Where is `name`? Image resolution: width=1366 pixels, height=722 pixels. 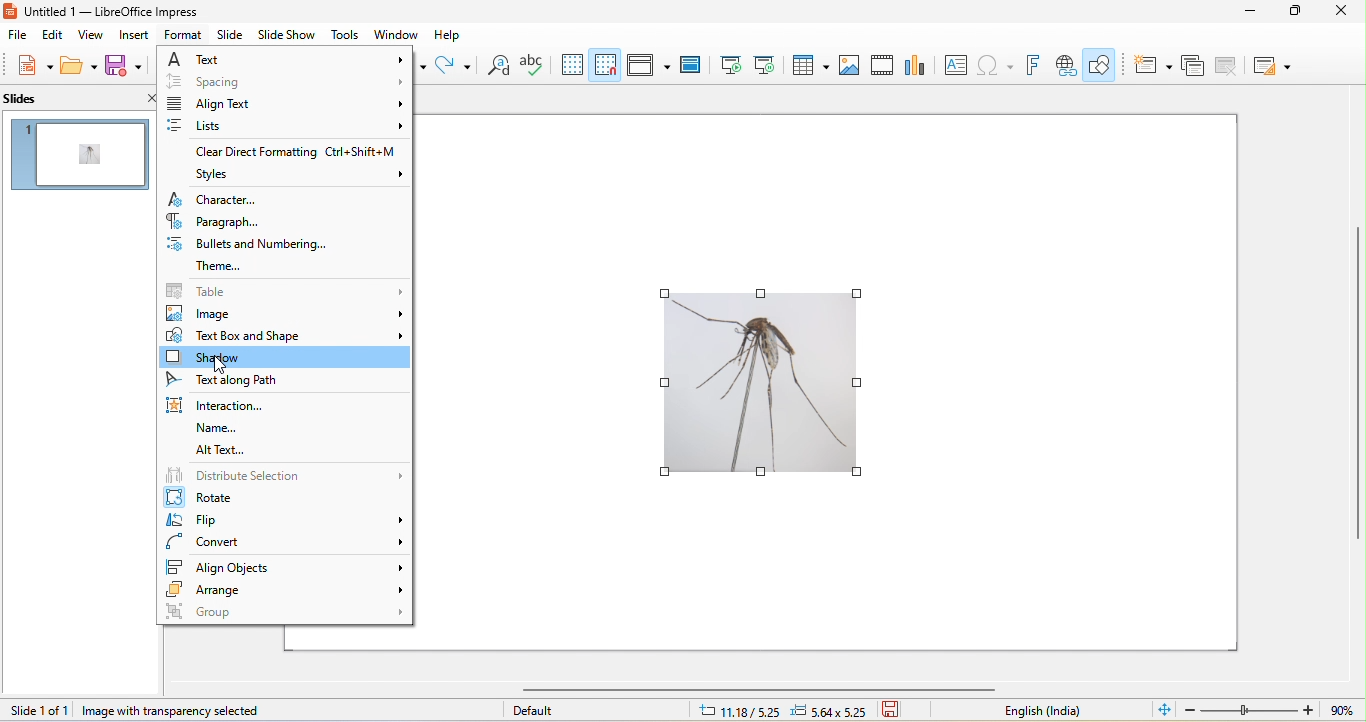 name is located at coordinates (219, 429).